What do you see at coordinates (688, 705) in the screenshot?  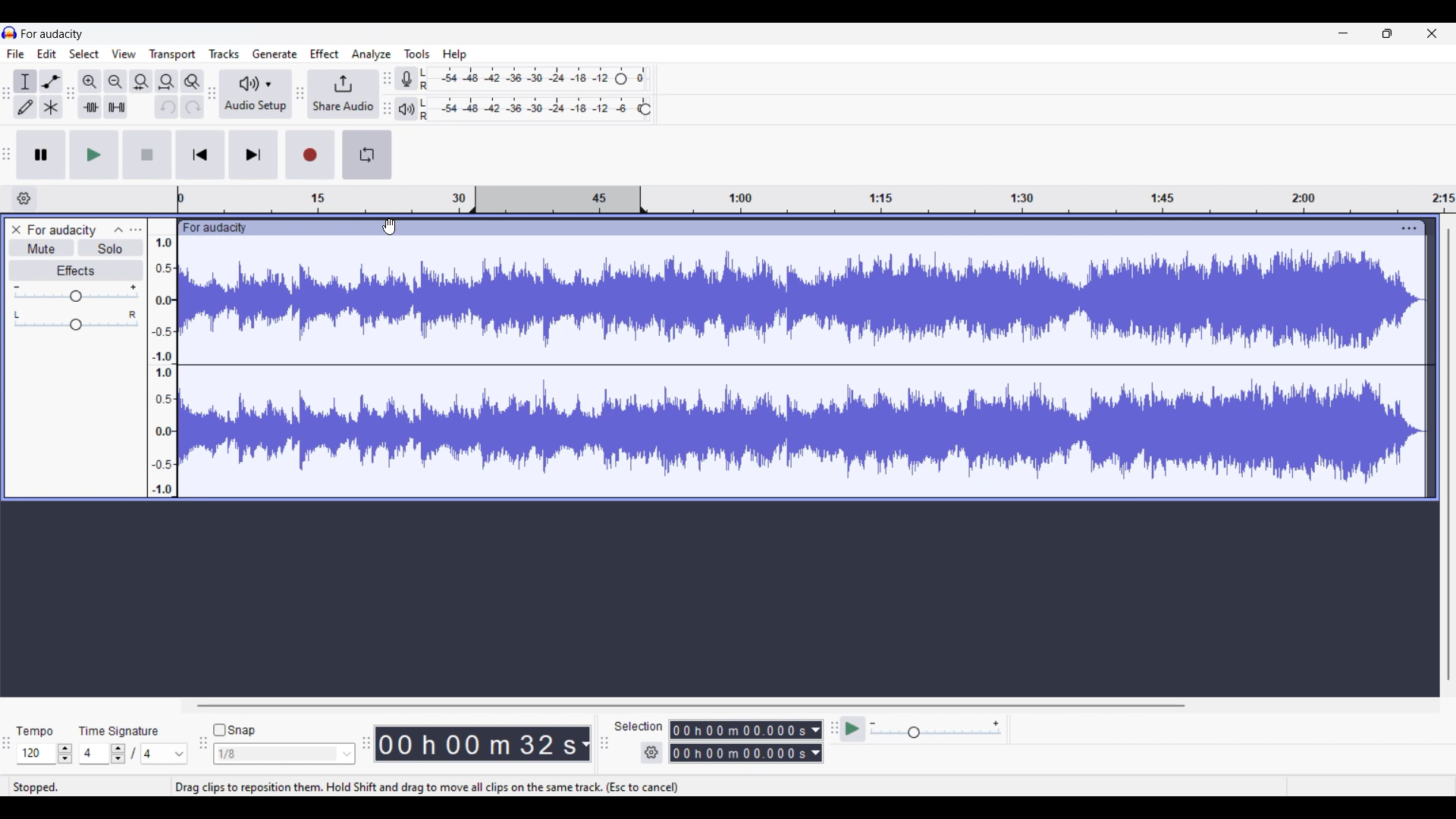 I see `Horizontal slide bar` at bounding box center [688, 705].